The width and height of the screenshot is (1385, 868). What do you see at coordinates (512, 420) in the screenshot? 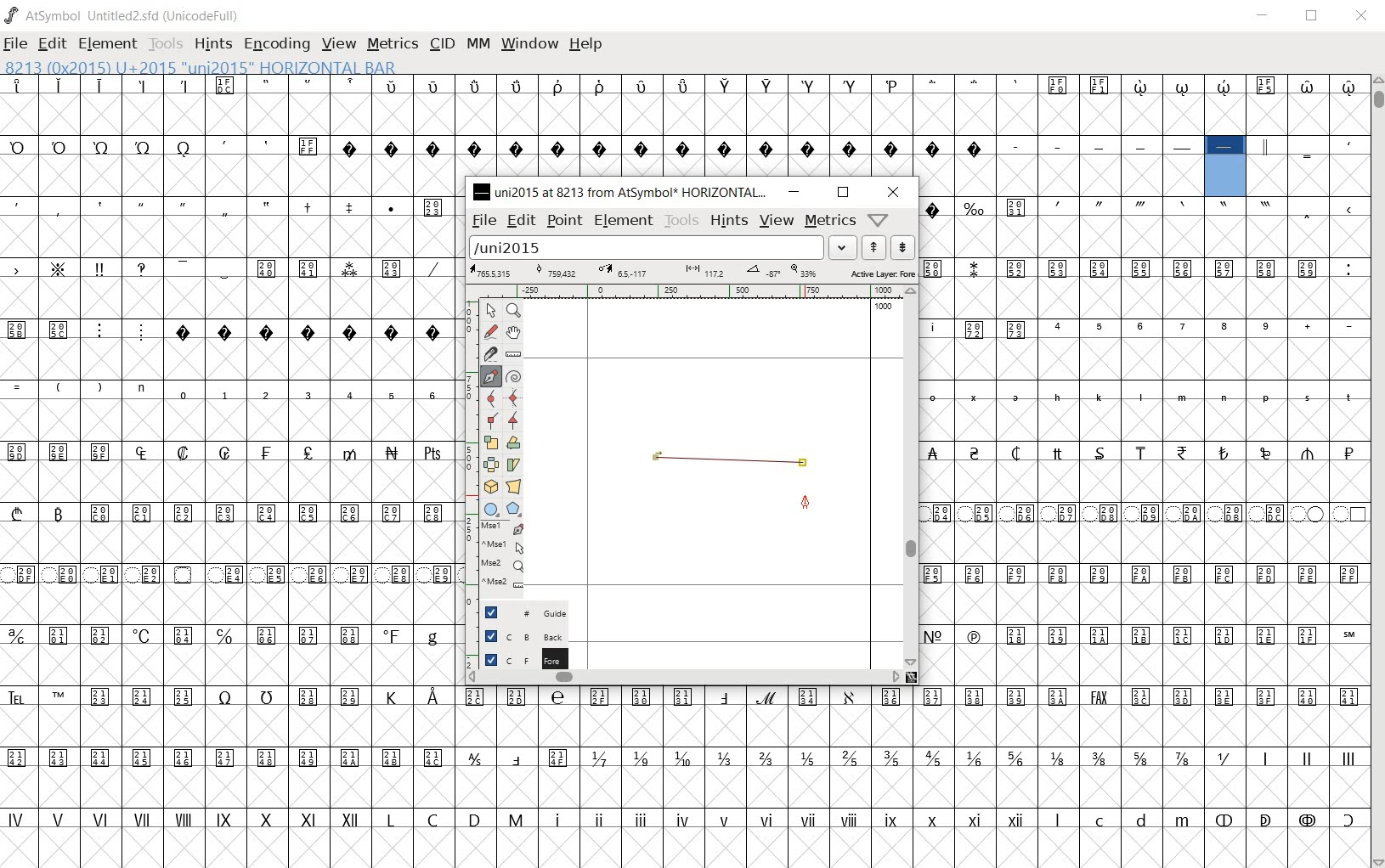
I see `Add a corner point` at bounding box center [512, 420].